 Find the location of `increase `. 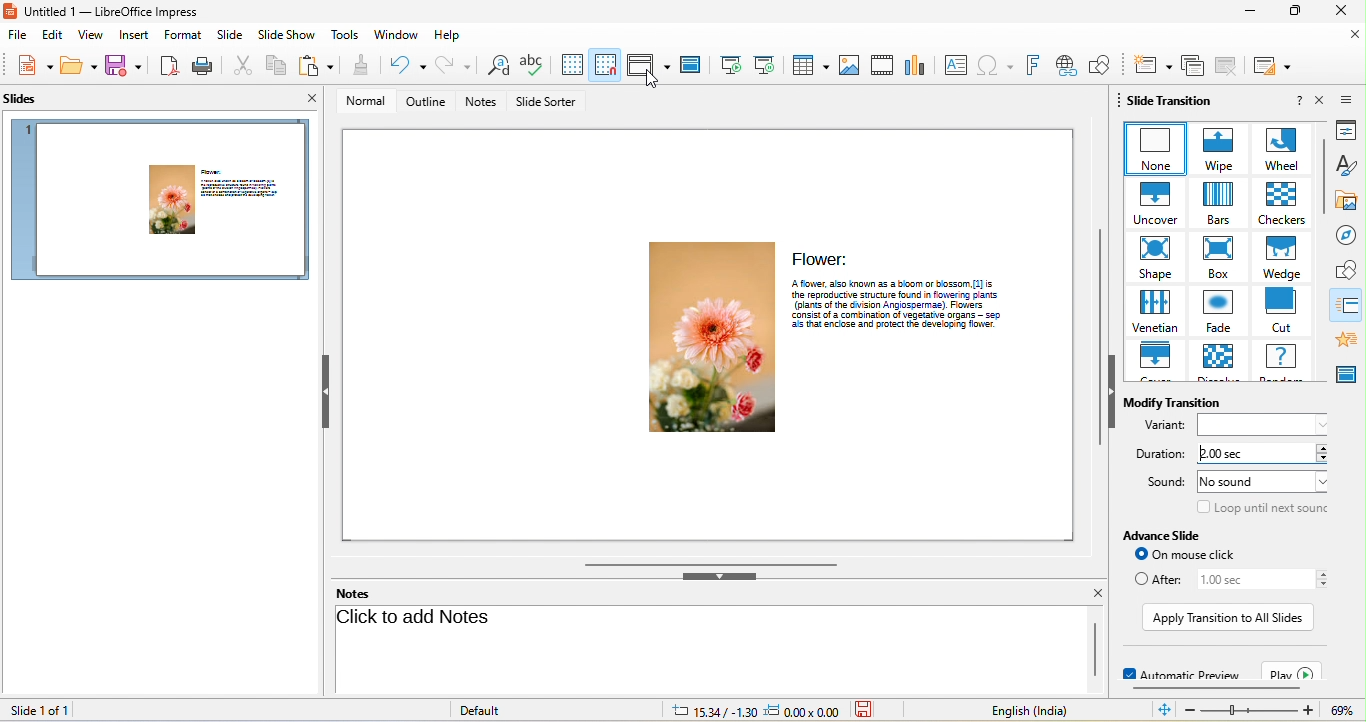

increase  is located at coordinates (1323, 573).